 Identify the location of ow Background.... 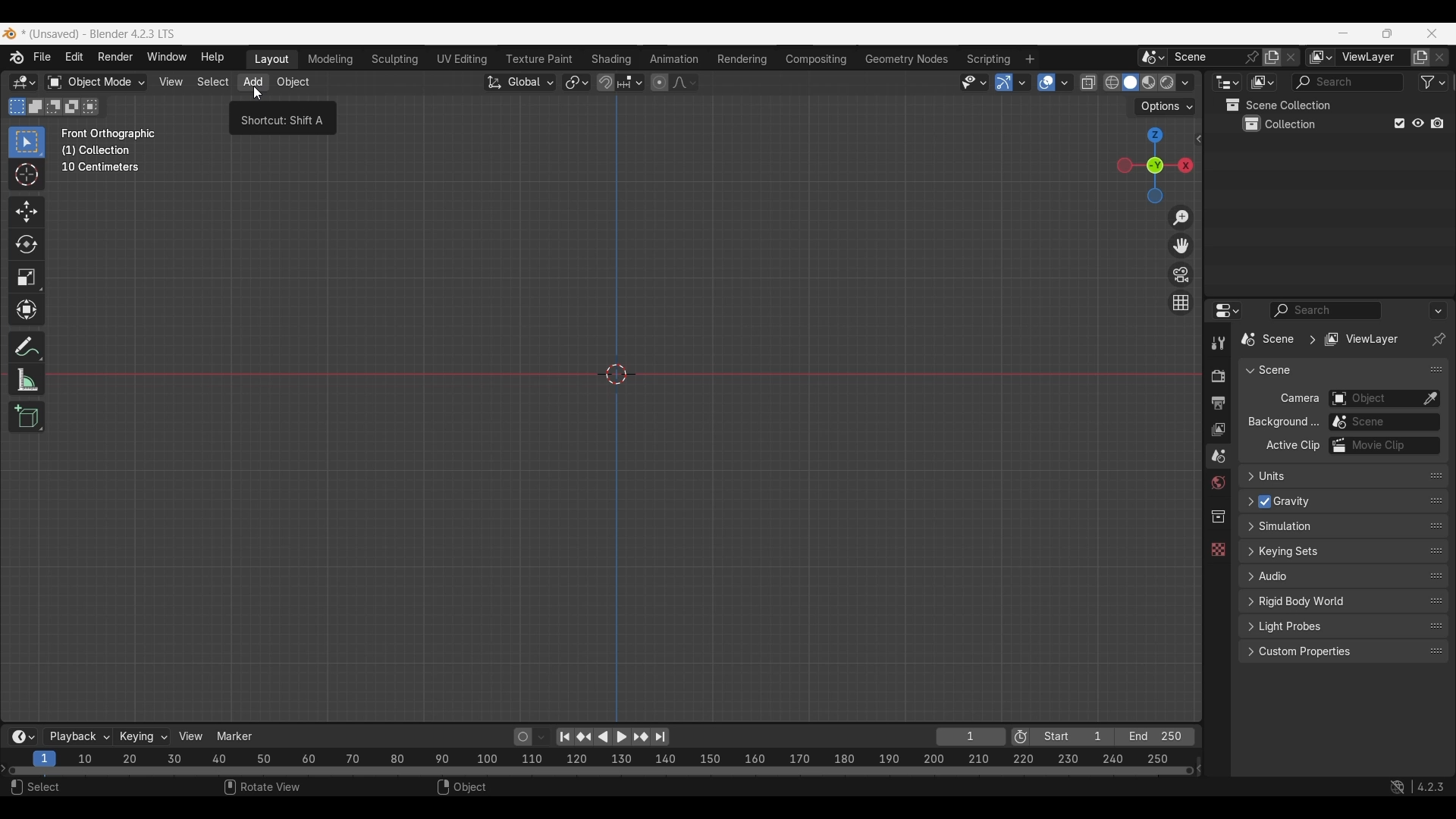
(1281, 422).